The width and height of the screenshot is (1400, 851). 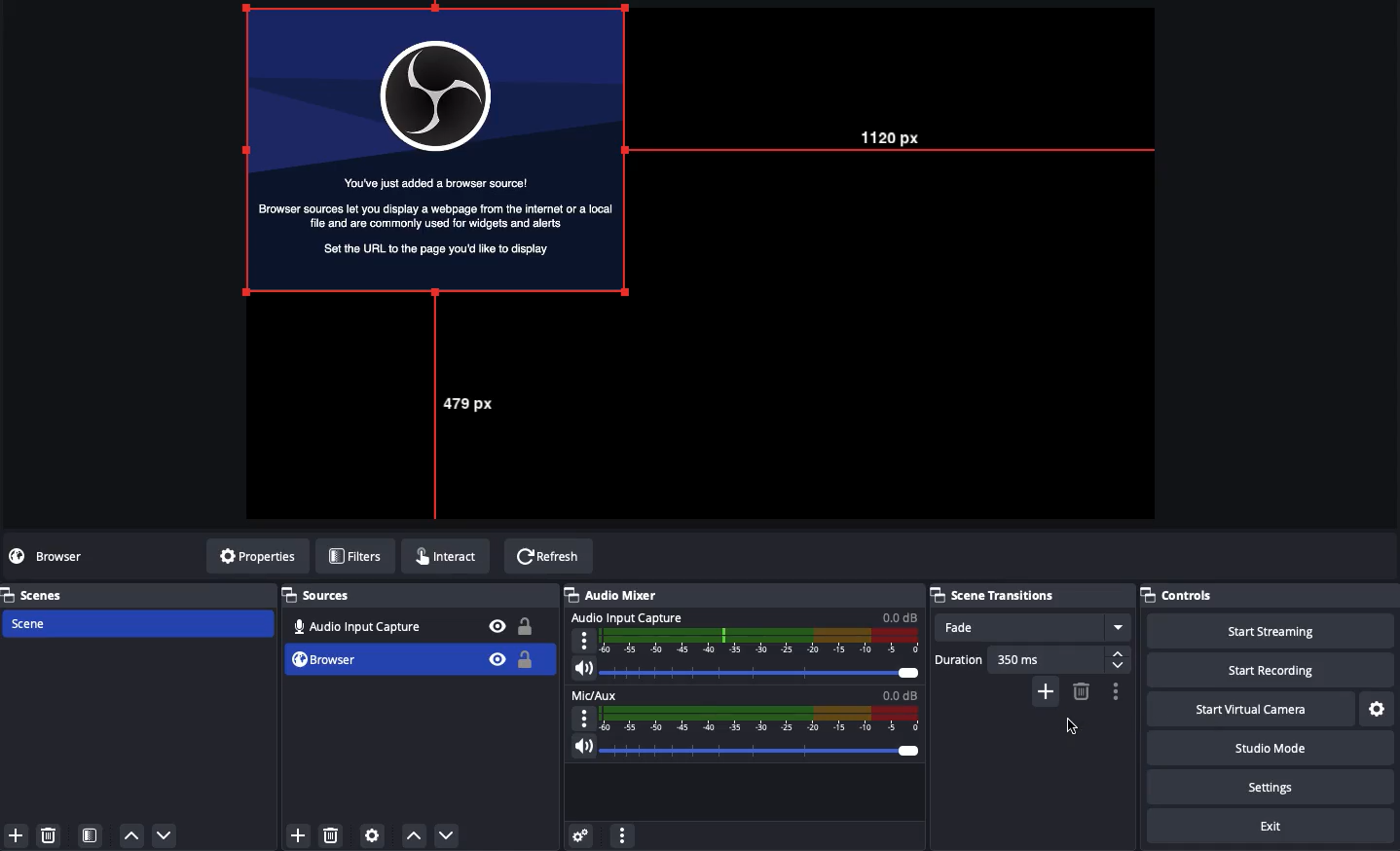 I want to click on Defaults, so click(x=600, y=721).